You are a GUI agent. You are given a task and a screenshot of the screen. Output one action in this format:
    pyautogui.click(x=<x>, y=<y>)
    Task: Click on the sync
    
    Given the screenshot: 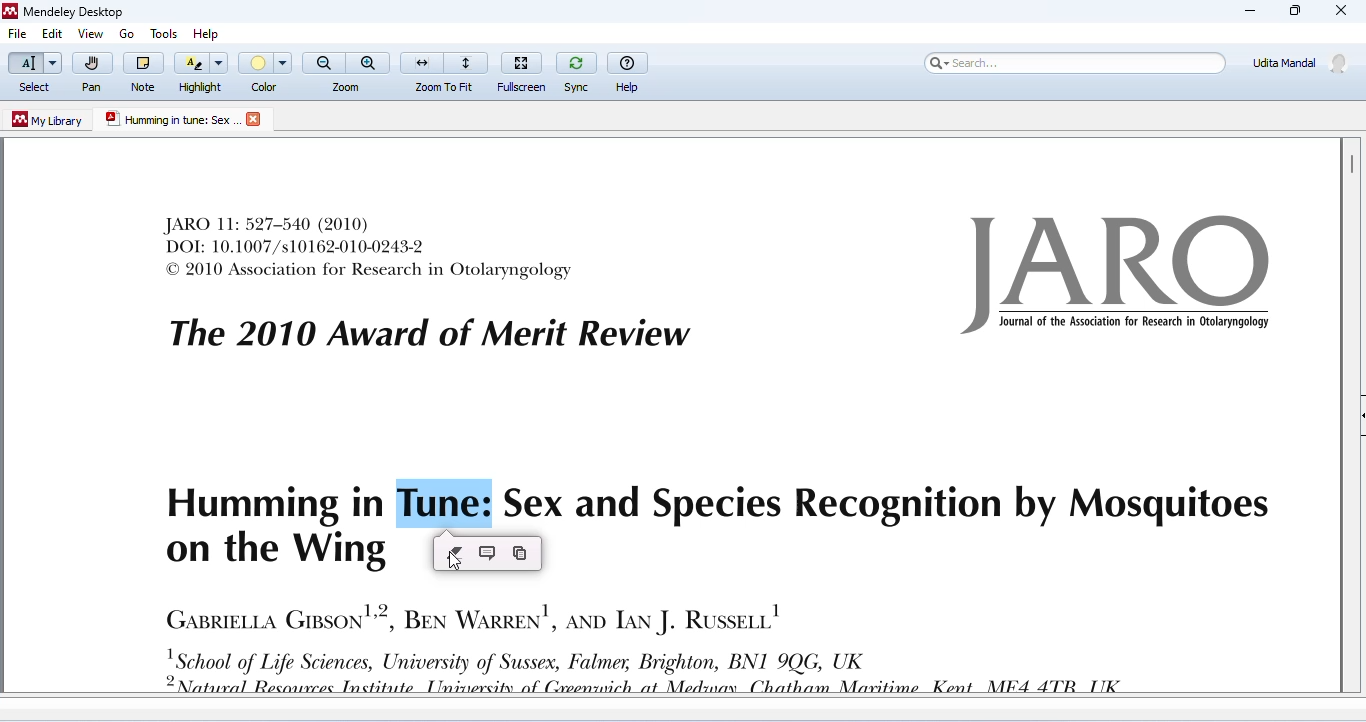 What is the action you would take?
    pyautogui.click(x=576, y=70)
    